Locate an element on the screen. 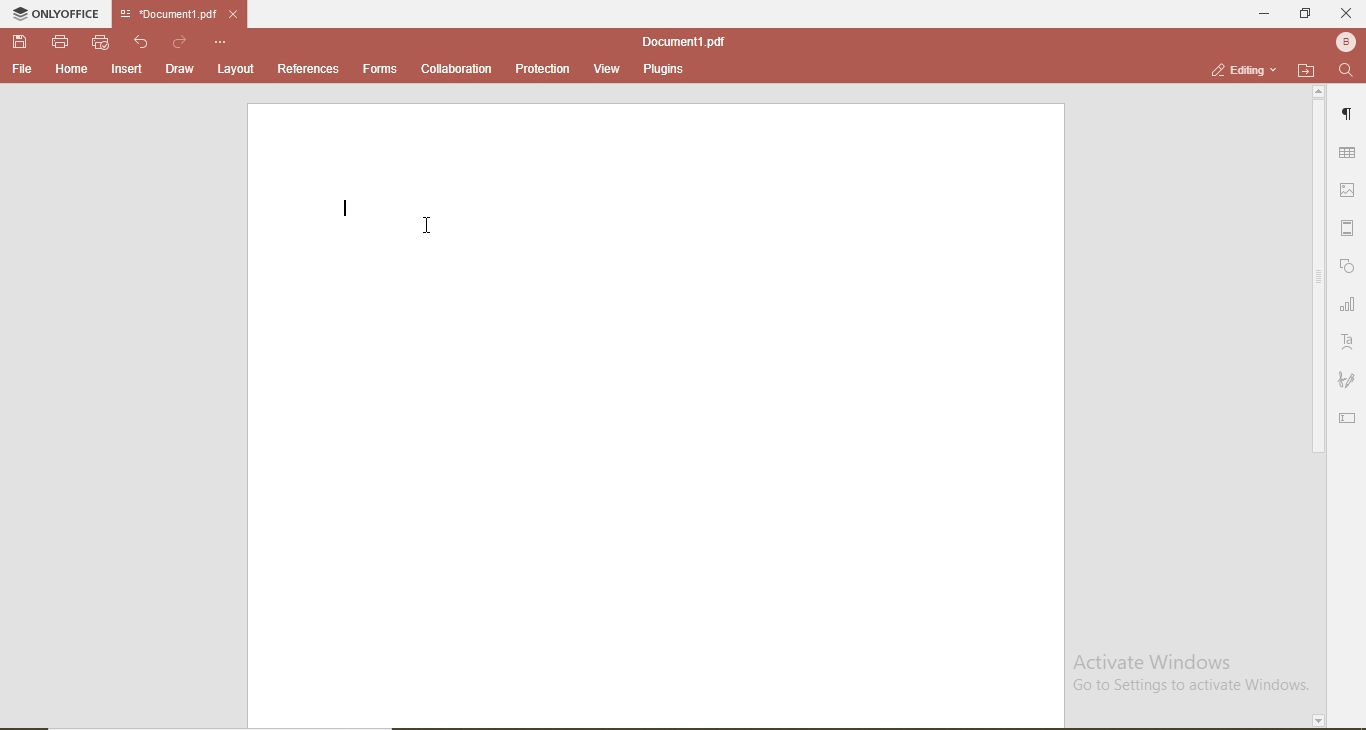  references is located at coordinates (309, 68).